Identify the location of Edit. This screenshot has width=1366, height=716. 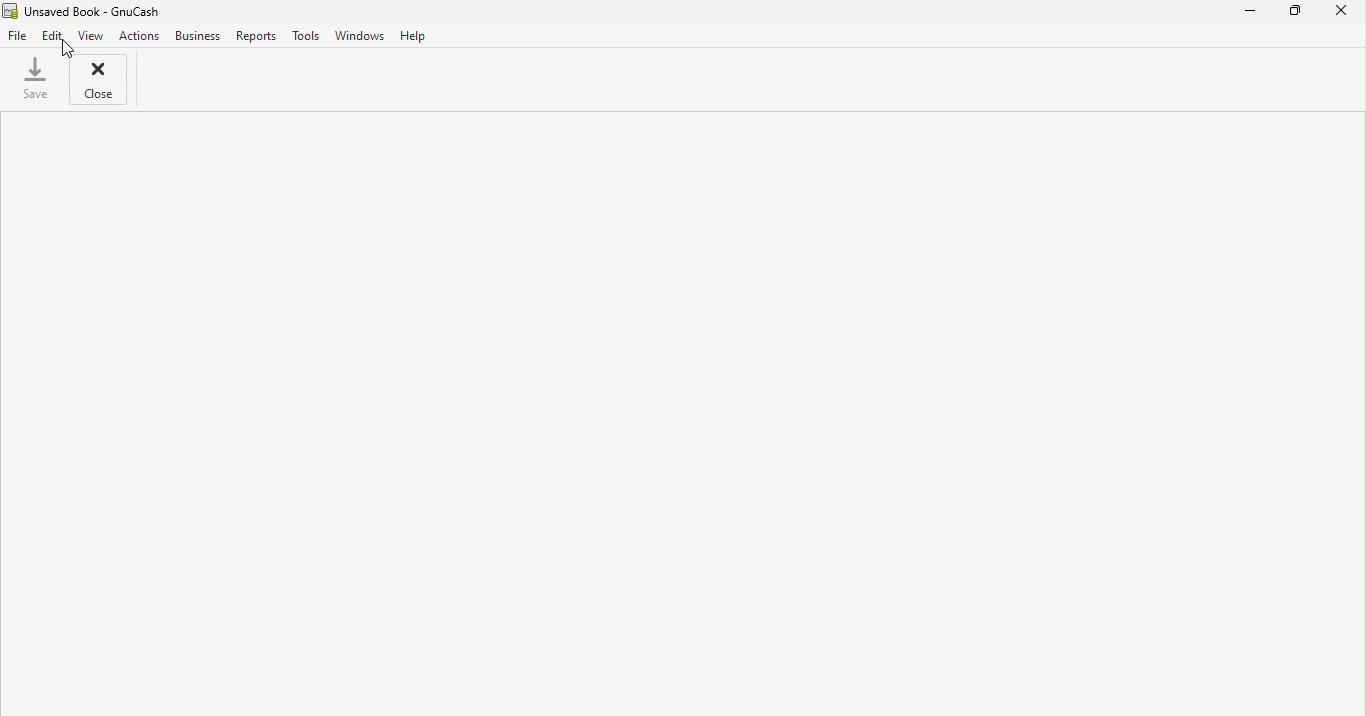
(54, 35).